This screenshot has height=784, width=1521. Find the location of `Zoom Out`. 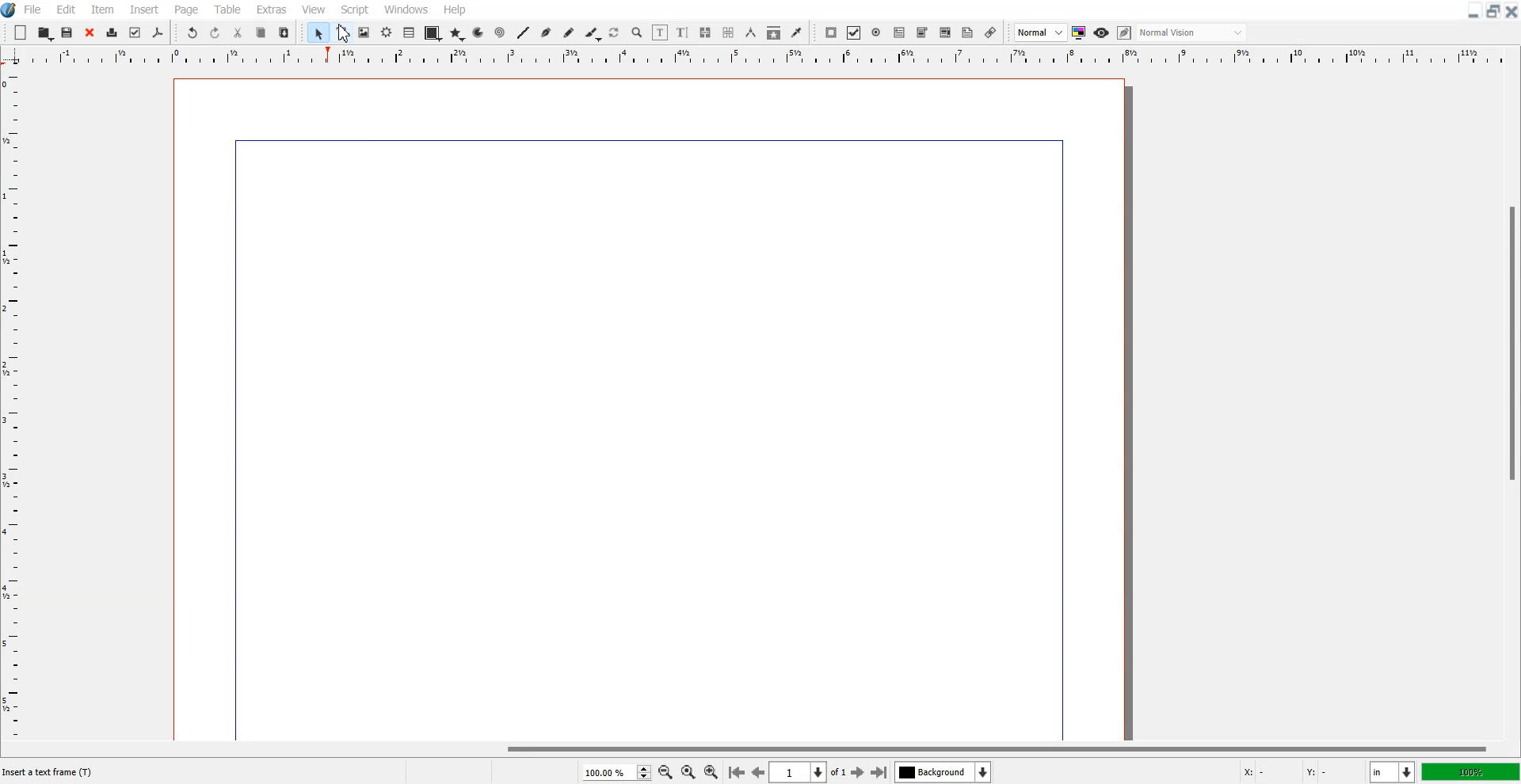

Zoom Out is located at coordinates (666, 773).